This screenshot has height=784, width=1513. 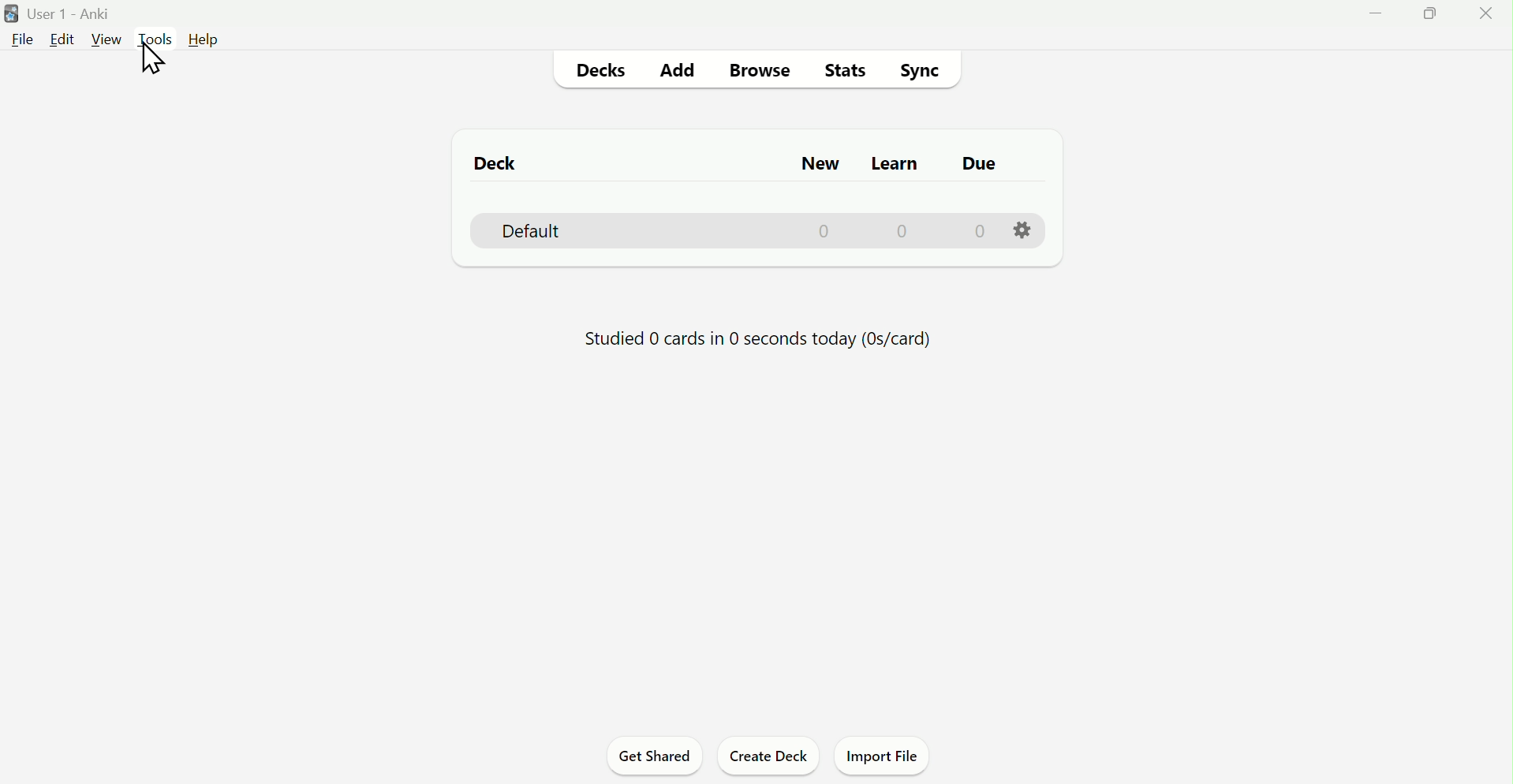 I want to click on Progress bar, so click(x=760, y=338).